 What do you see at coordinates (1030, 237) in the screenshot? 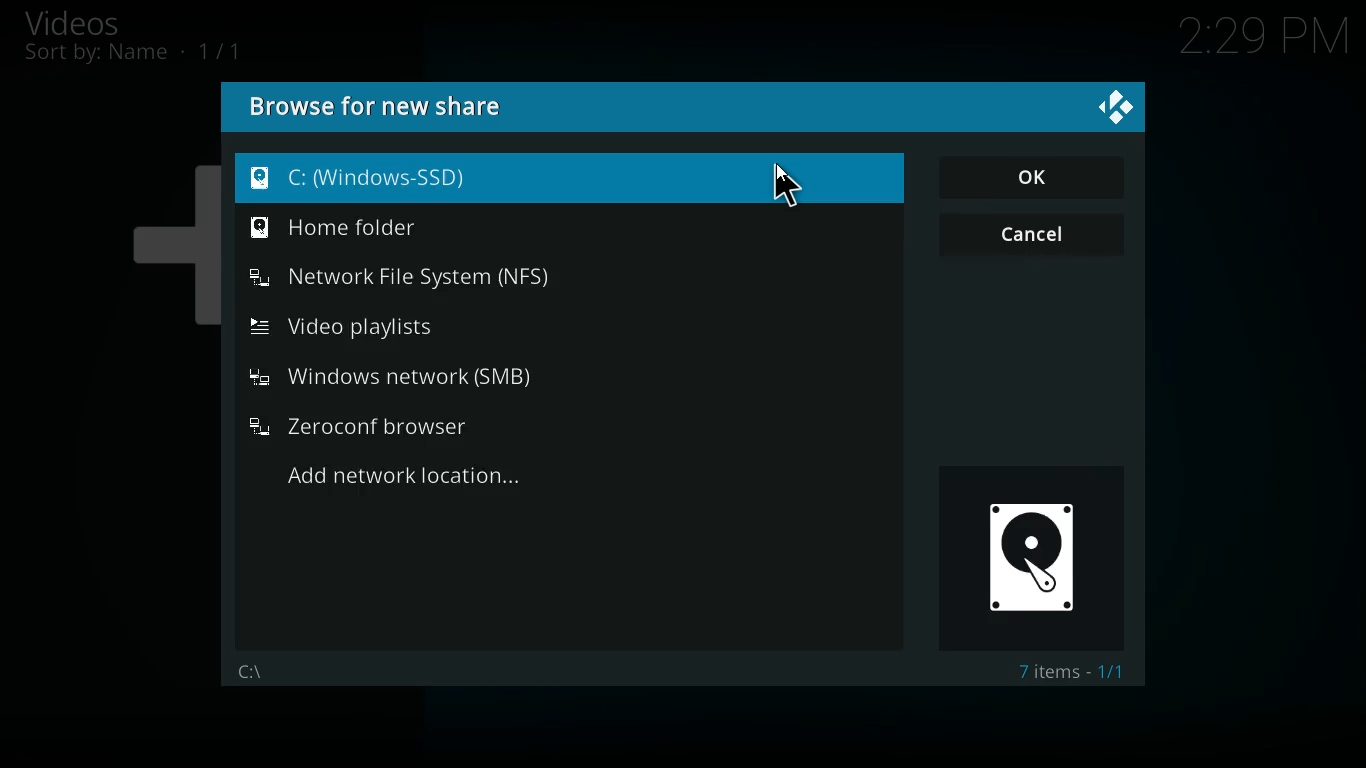
I see `cancel` at bounding box center [1030, 237].